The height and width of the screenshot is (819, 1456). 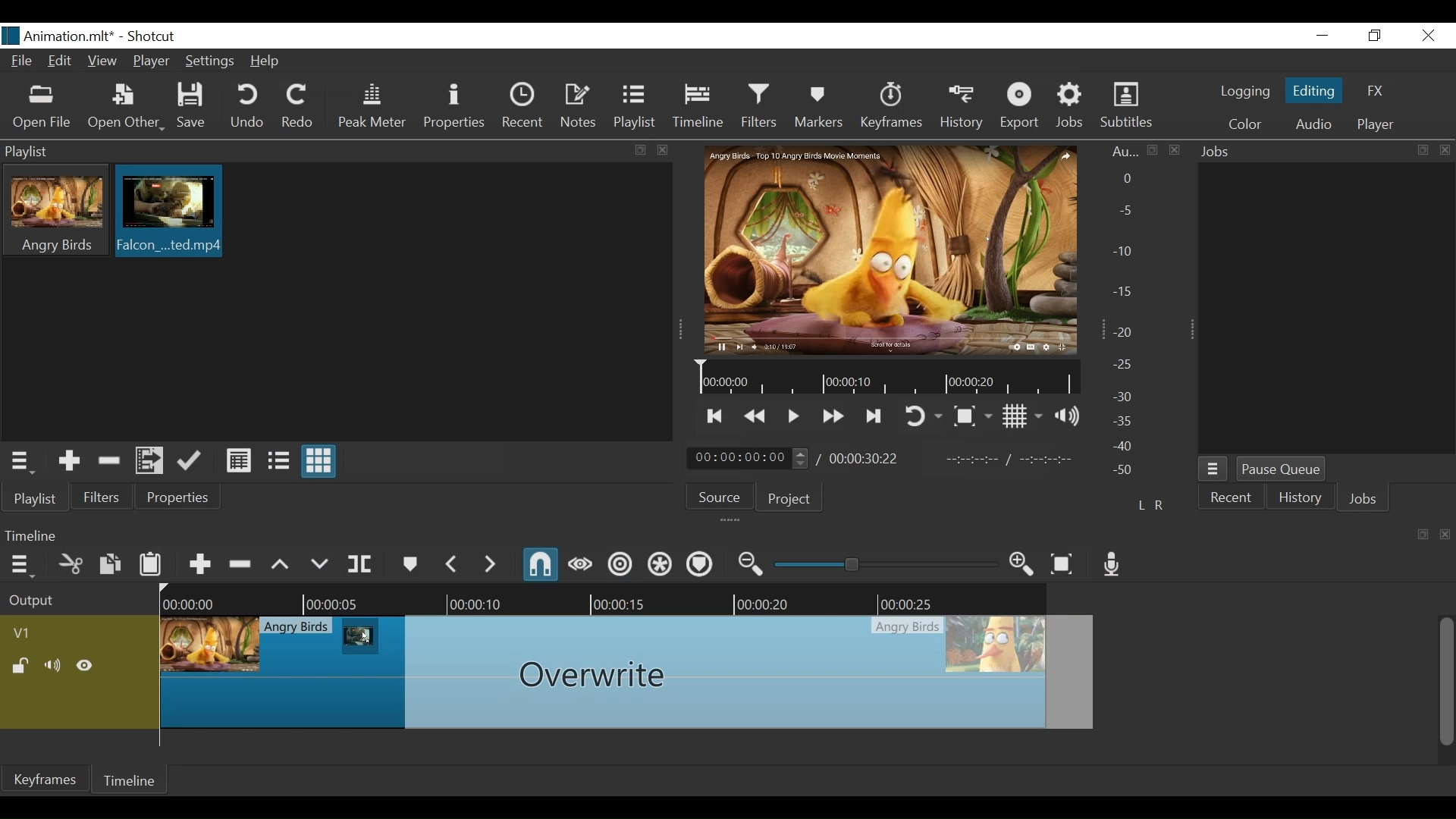 I want to click on Marker, so click(x=409, y=562).